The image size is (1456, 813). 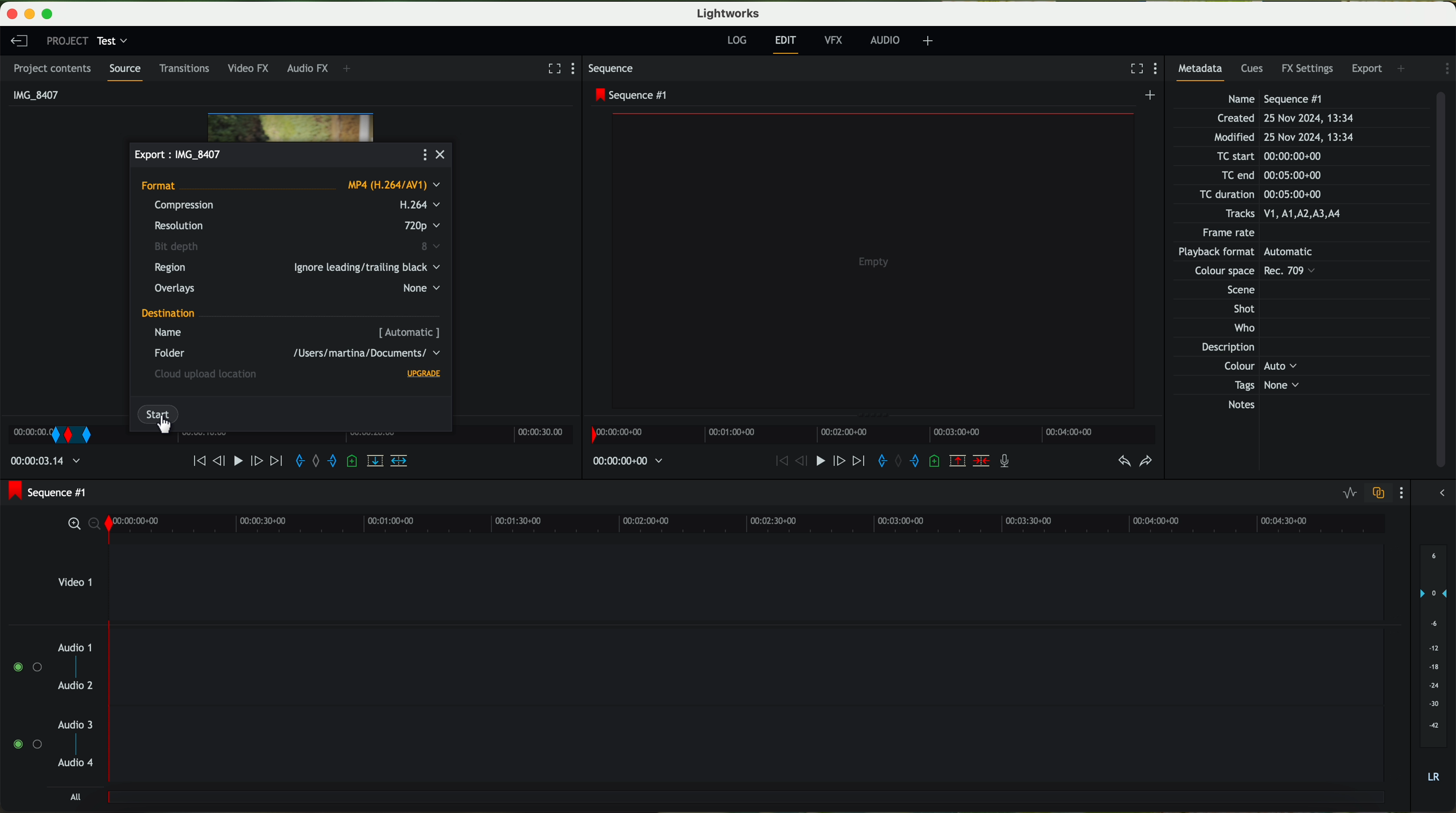 What do you see at coordinates (1350, 494) in the screenshot?
I see `toggle audio levels editing` at bounding box center [1350, 494].